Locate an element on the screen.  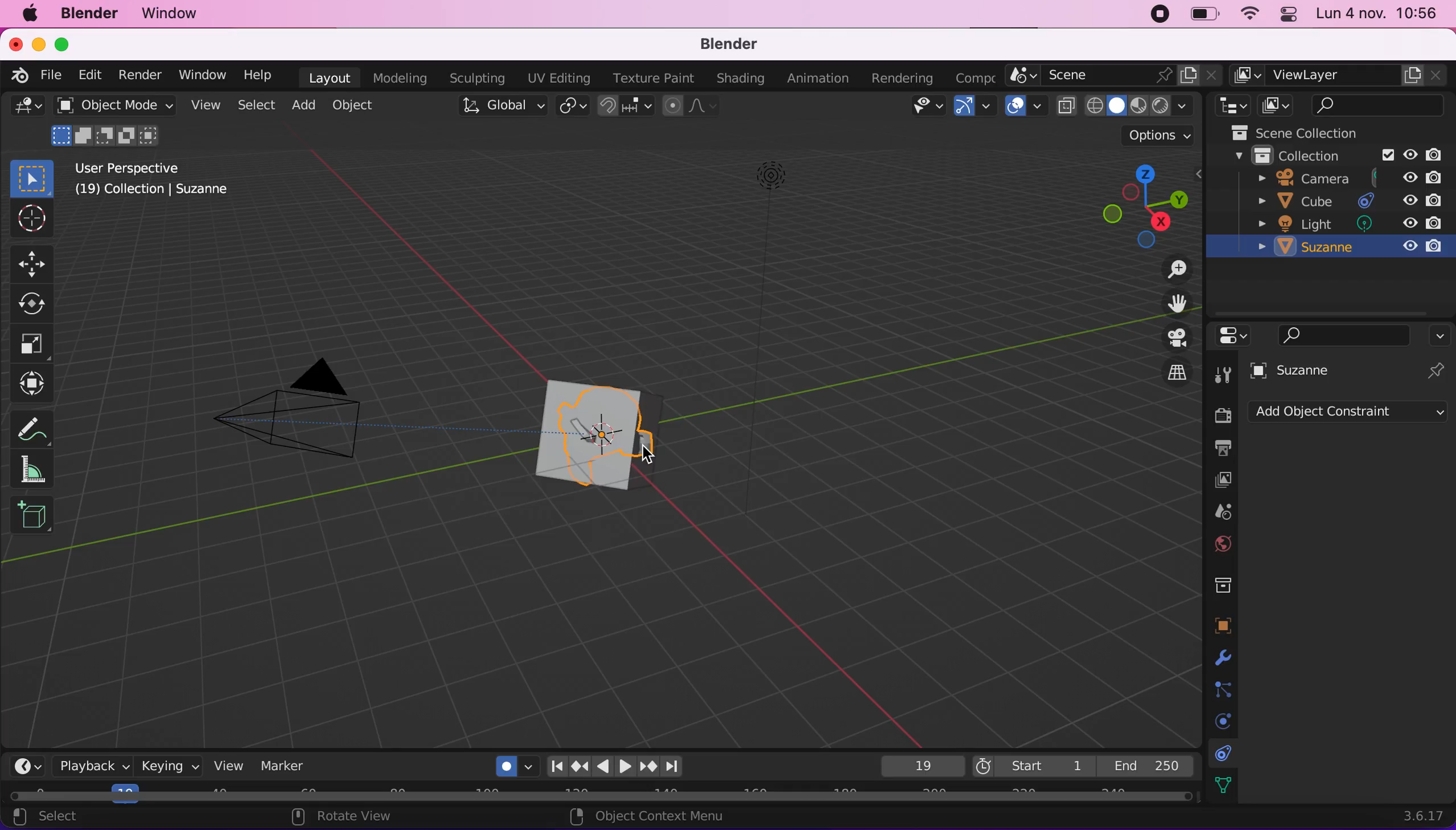
keying is located at coordinates (170, 769).